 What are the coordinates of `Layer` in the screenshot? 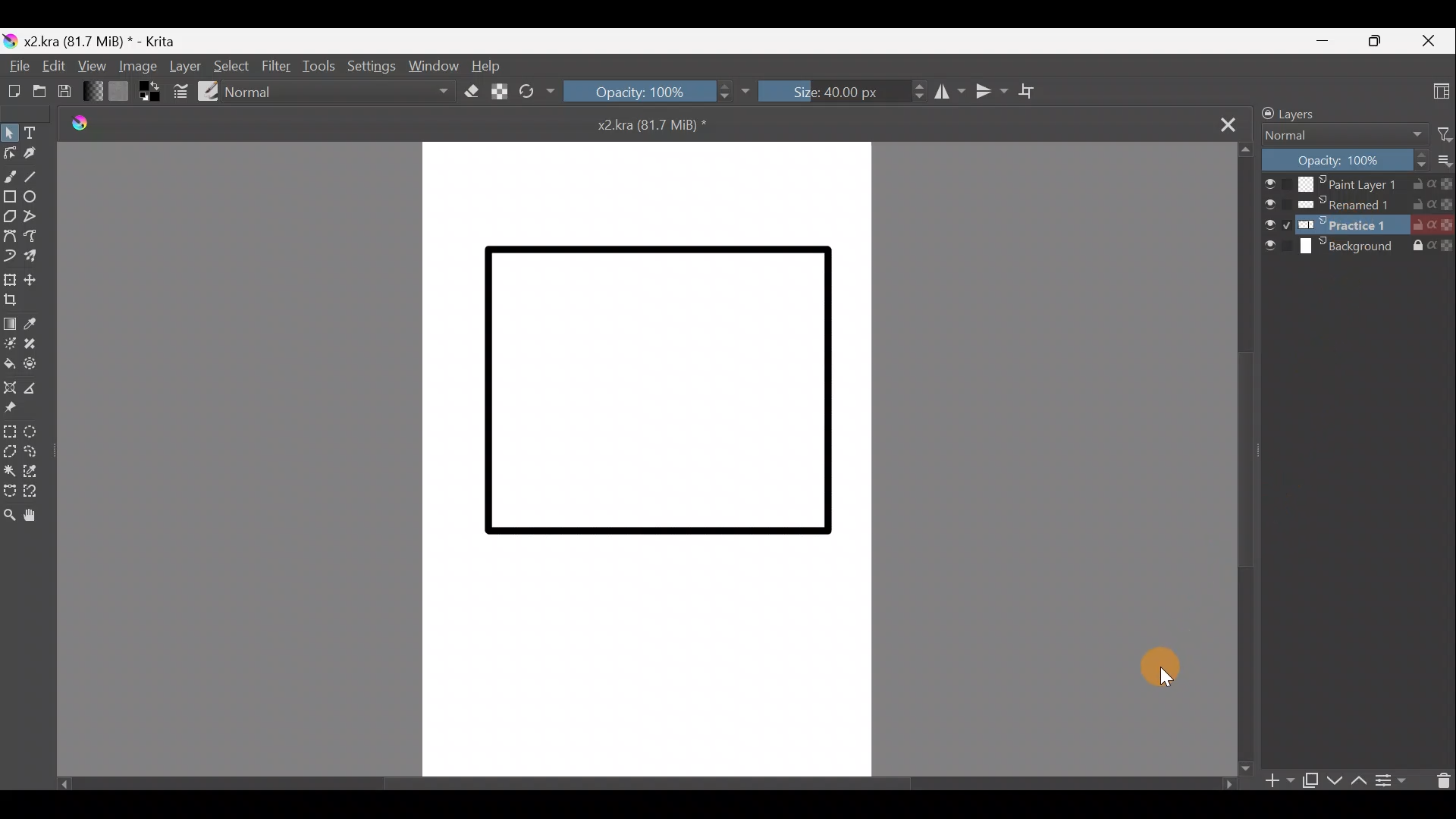 It's located at (183, 65).